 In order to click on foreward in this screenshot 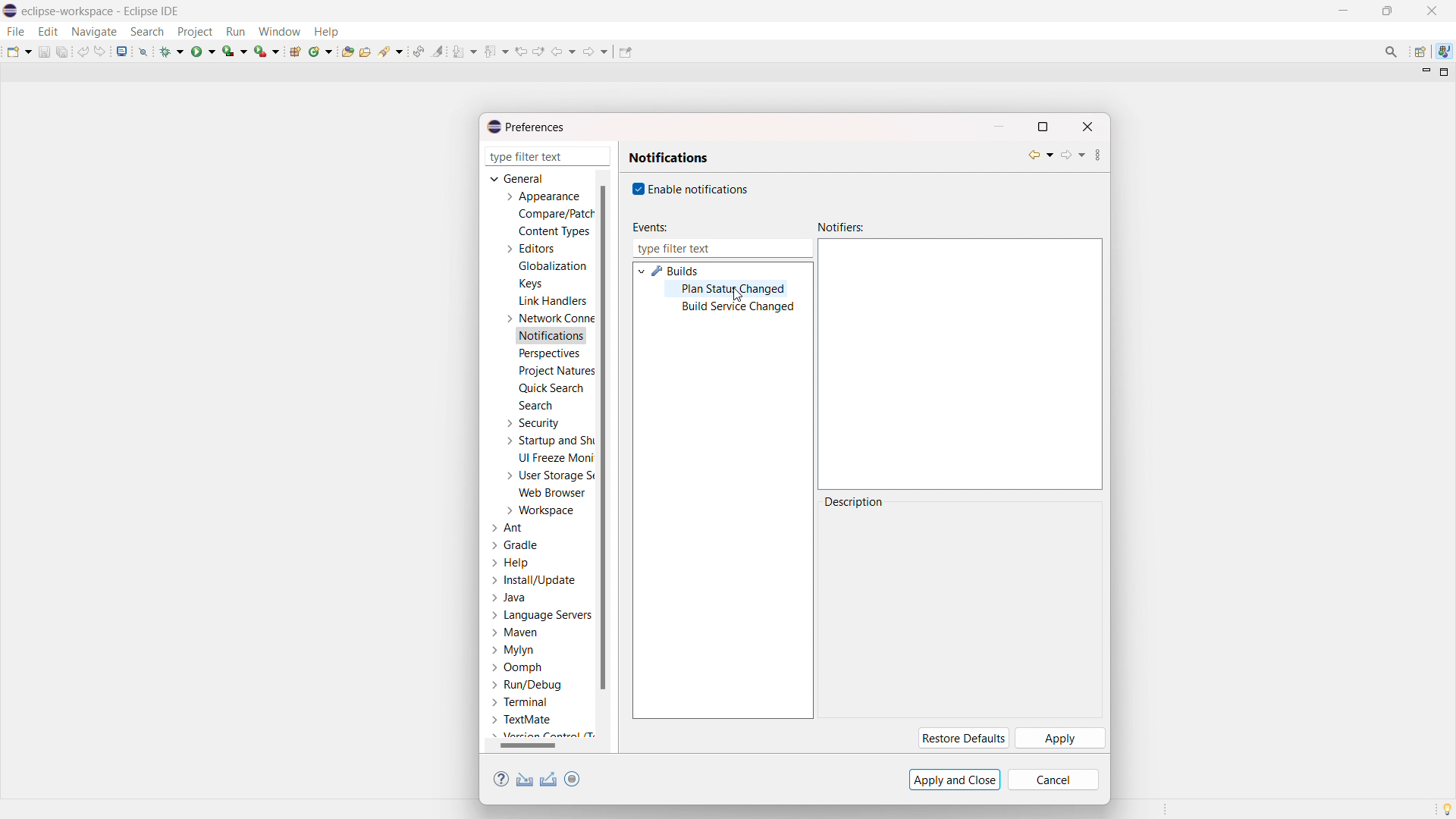, I will do `click(596, 51)`.